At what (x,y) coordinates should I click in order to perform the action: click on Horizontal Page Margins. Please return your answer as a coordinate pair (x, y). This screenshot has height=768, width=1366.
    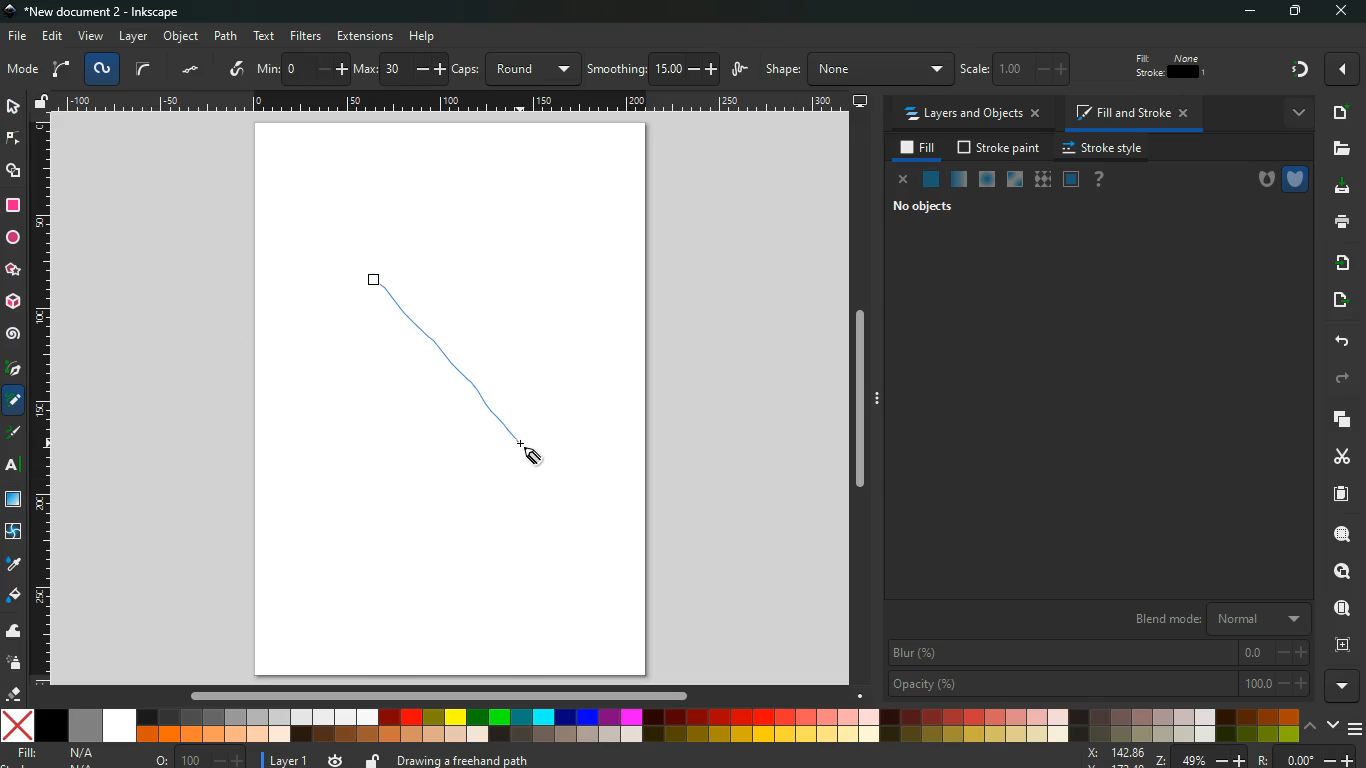
    Looking at the image, I should click on (41, 402).